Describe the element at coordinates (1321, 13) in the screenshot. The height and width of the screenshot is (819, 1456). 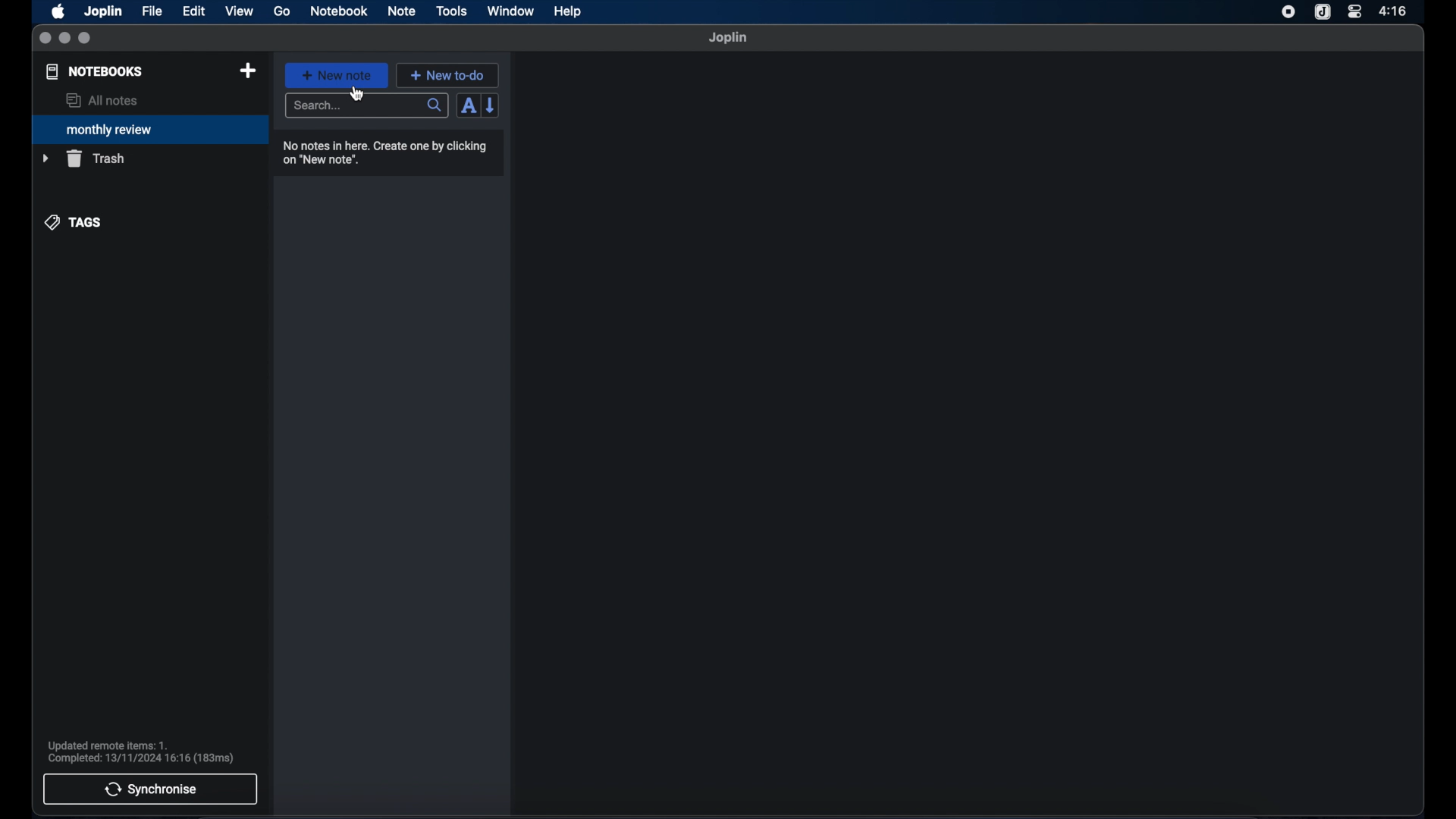
I see `joplin icon` at that location.